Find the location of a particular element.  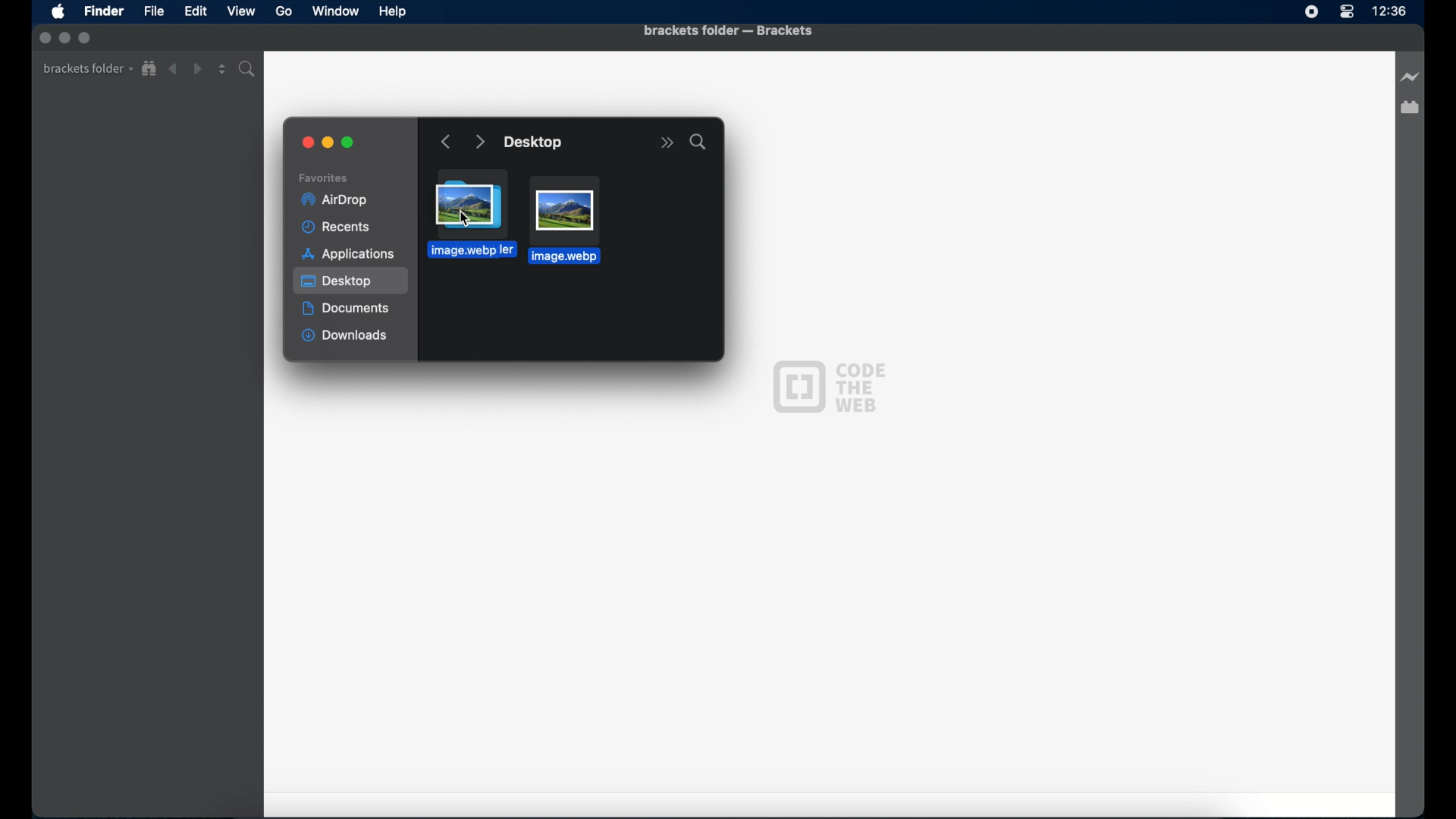

brackets folder - brackets is located at coordinates (728, 32).